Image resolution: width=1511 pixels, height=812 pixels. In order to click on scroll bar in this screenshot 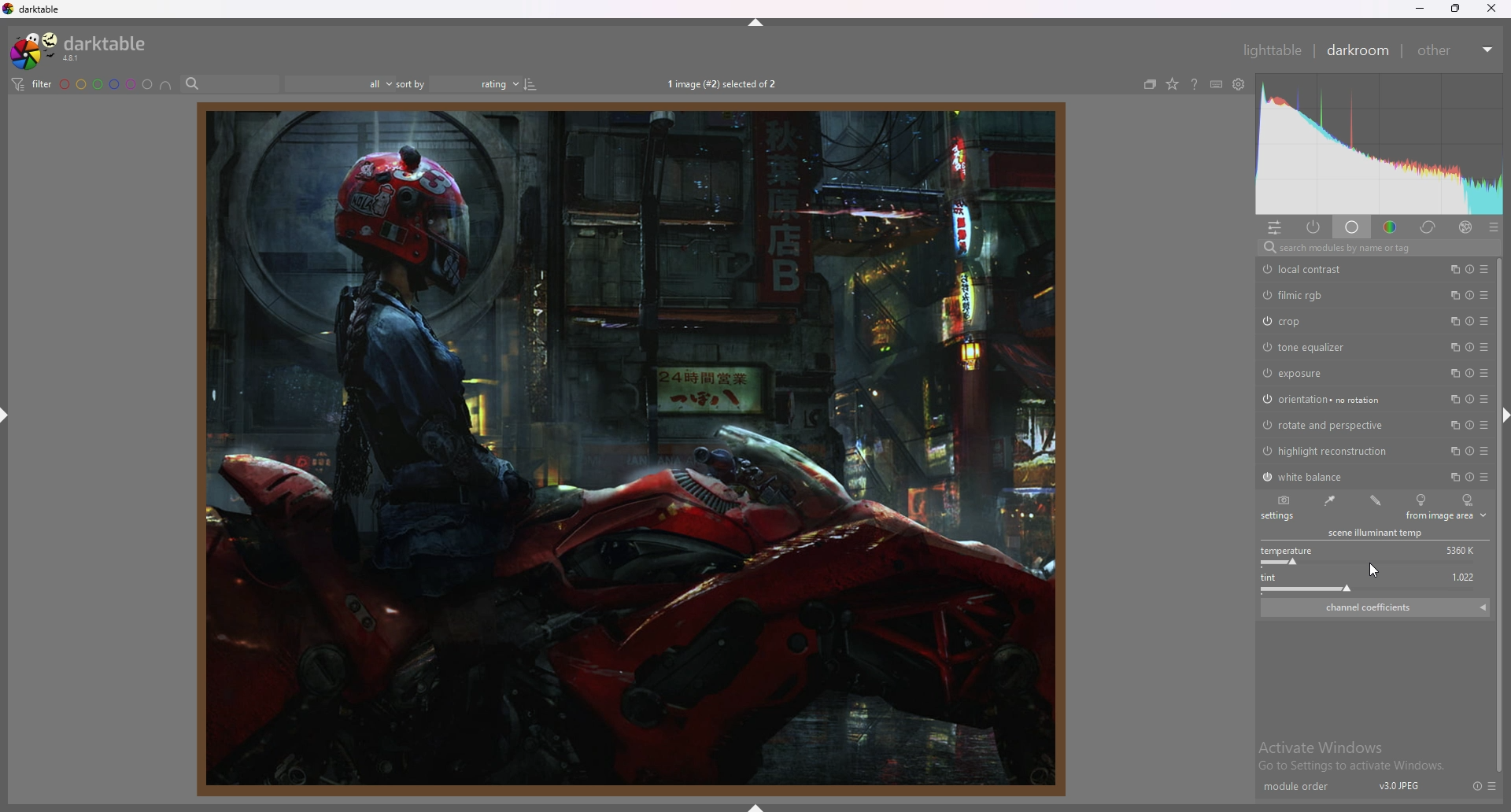, I will do `click(1498, 514)`.